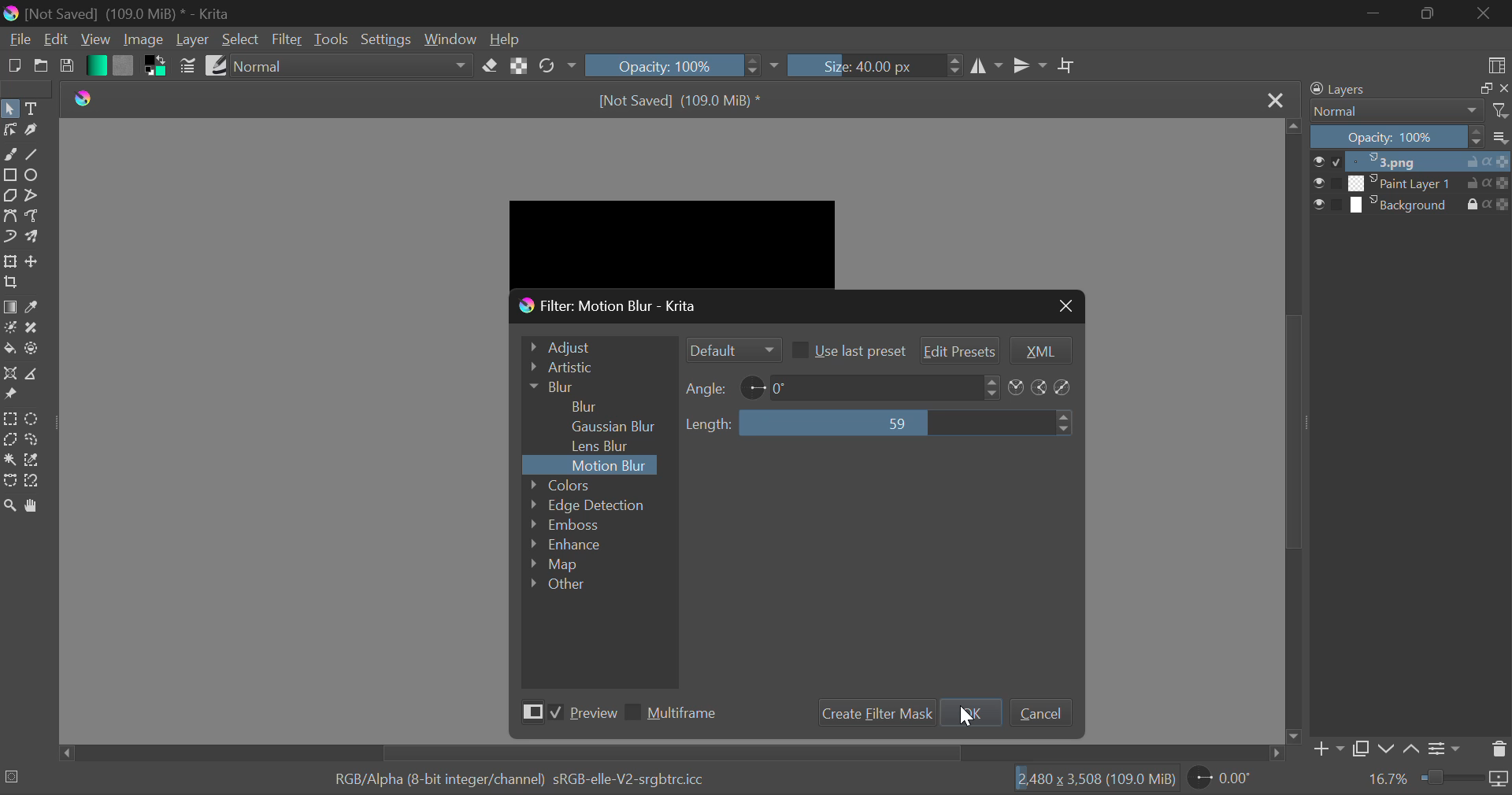 The width and height of the screenshot is (1512, 795). Describe the element at coordinates (507, 39) in the screenshot. I see `Help` at that location.